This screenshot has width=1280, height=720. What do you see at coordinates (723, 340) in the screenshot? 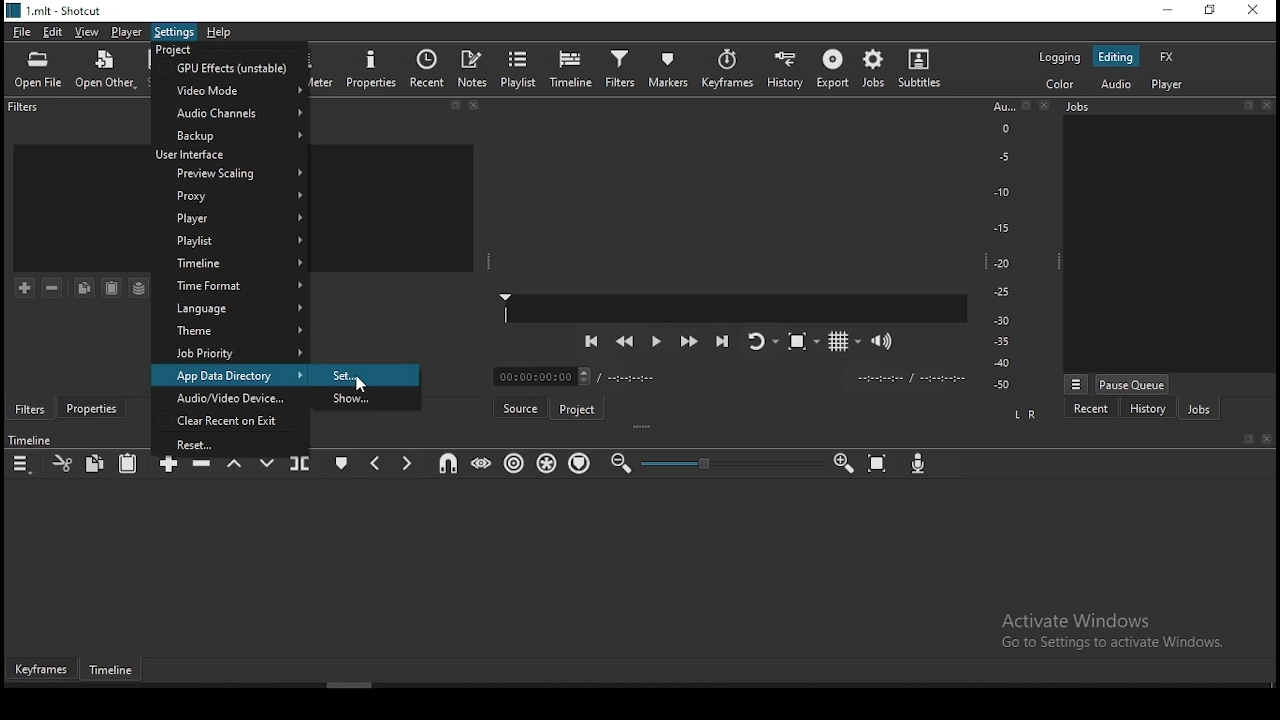
I see `skip to the next point` at bounding box center [723, 340].